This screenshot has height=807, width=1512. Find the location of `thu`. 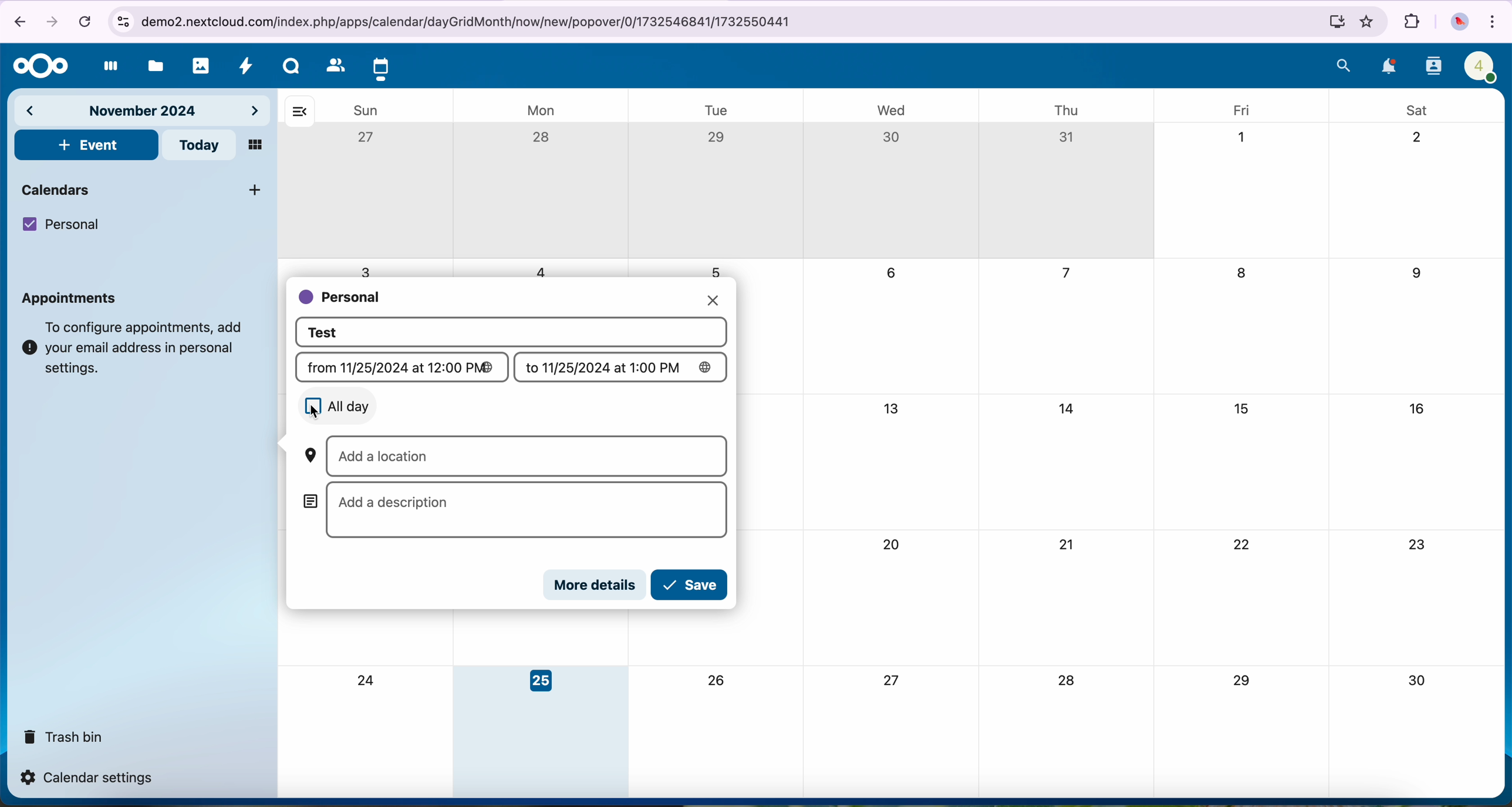

thu is located at coordinates (1071, 111).